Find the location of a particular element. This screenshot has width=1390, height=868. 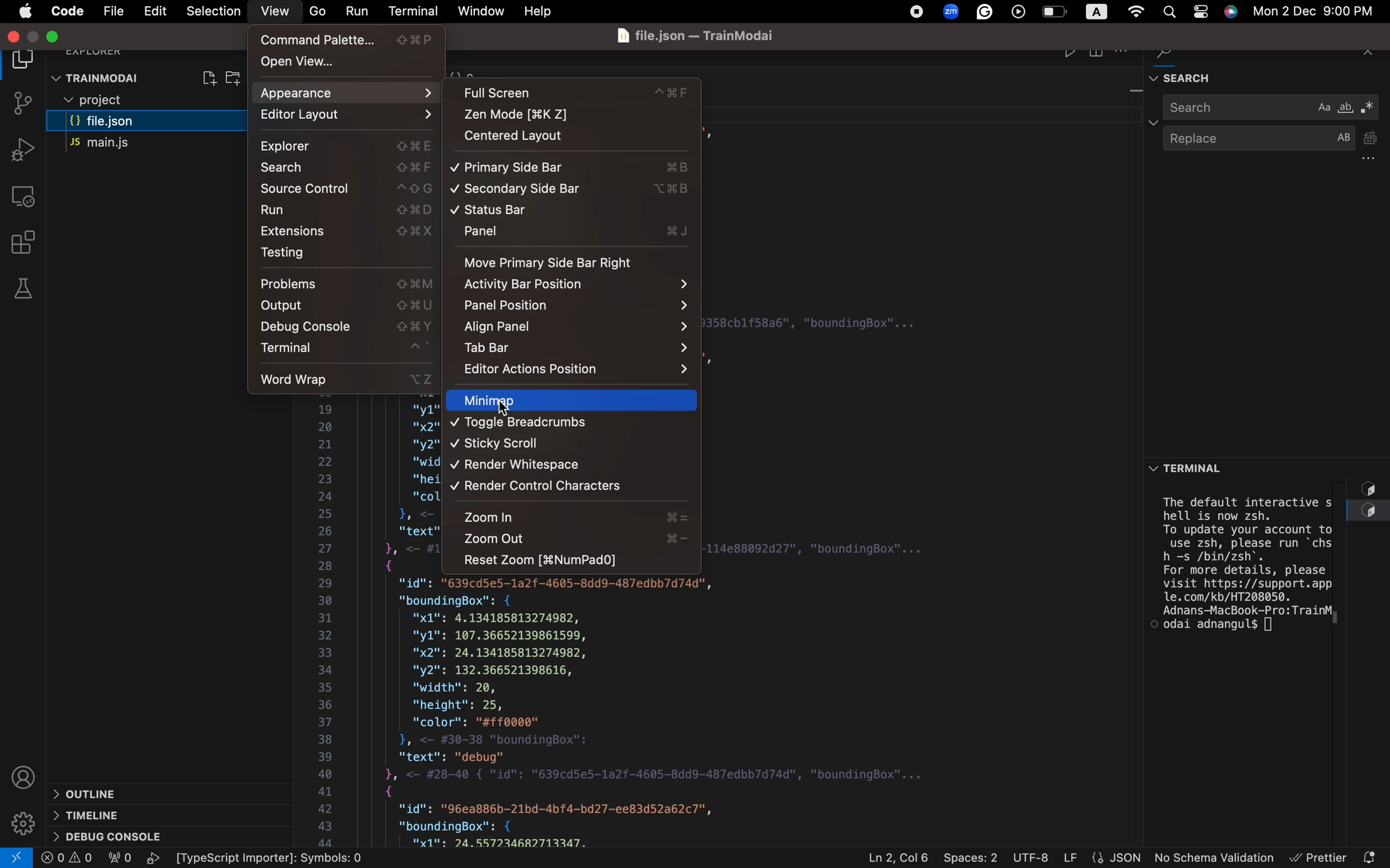

file properties is located at coordinates (1101, 858).